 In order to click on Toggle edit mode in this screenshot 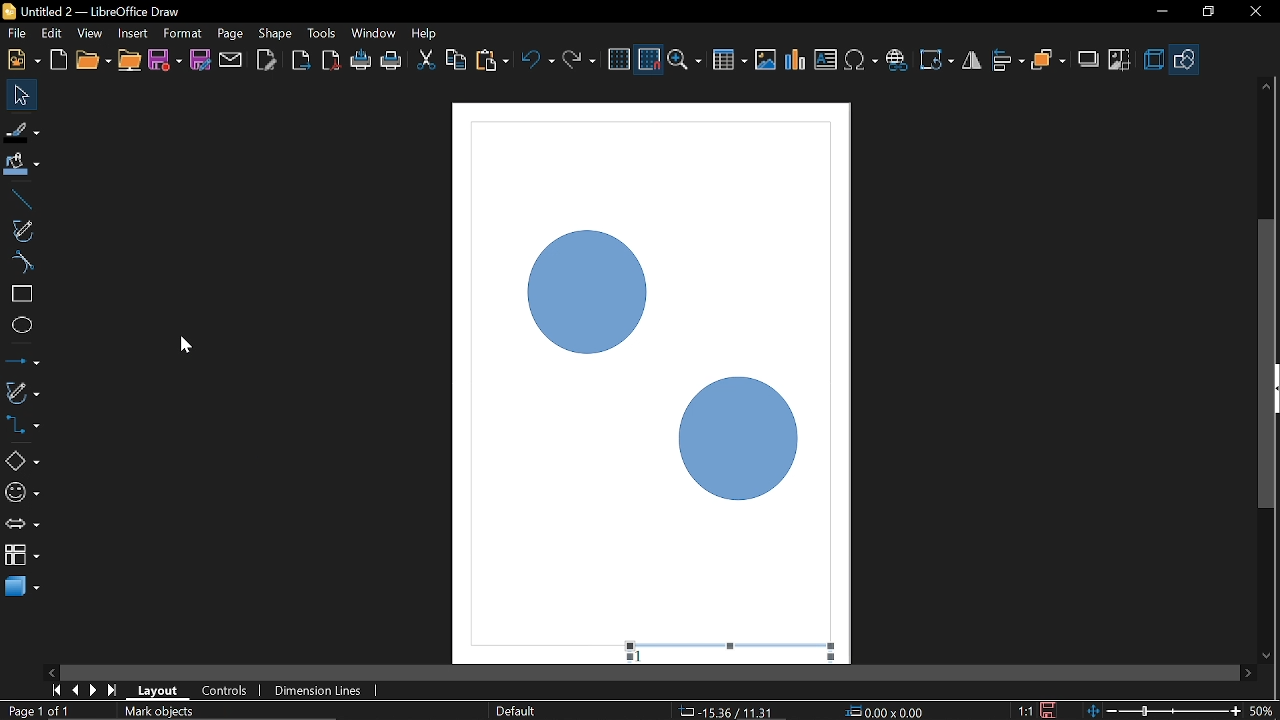, I will do `click(268, 59)`.